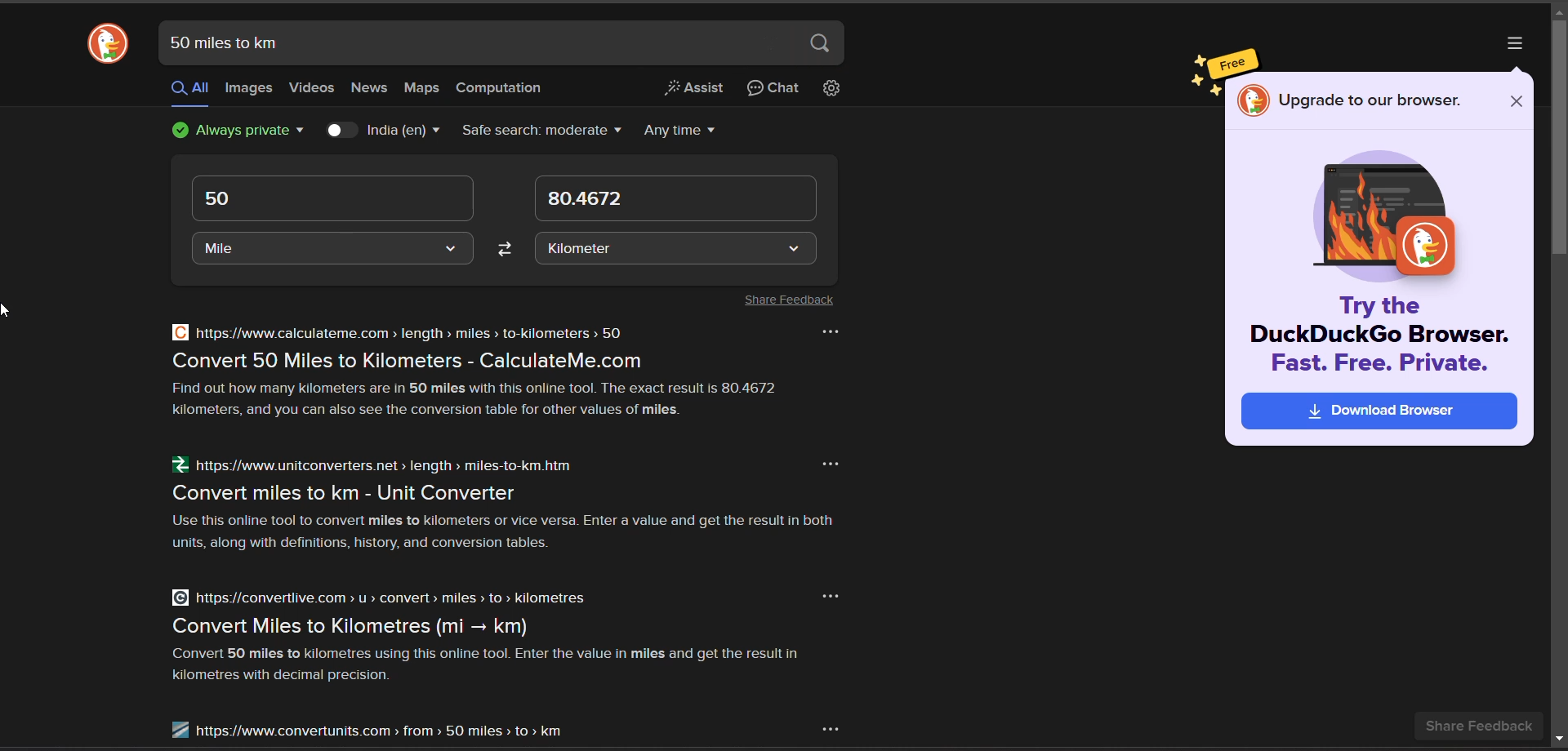  What do you see at coordinates (690, 91) in the screenshot?
I see `generate a short answer from the web` at bounding box center [690, 91].